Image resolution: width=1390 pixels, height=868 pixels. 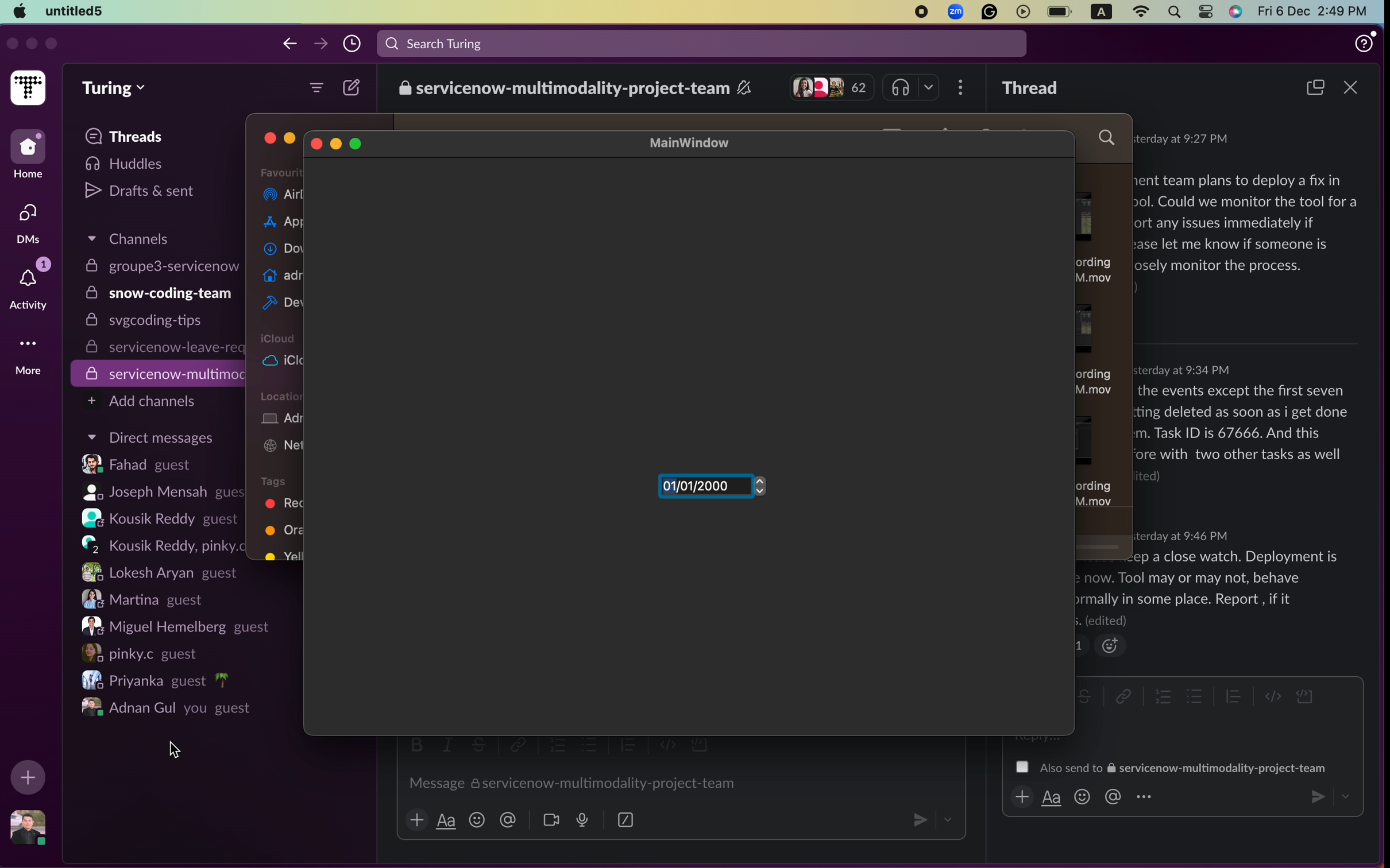 What do you see at coordinates (988, 13) in the screenshot?
I see `G` at bounding box center [988, 13].